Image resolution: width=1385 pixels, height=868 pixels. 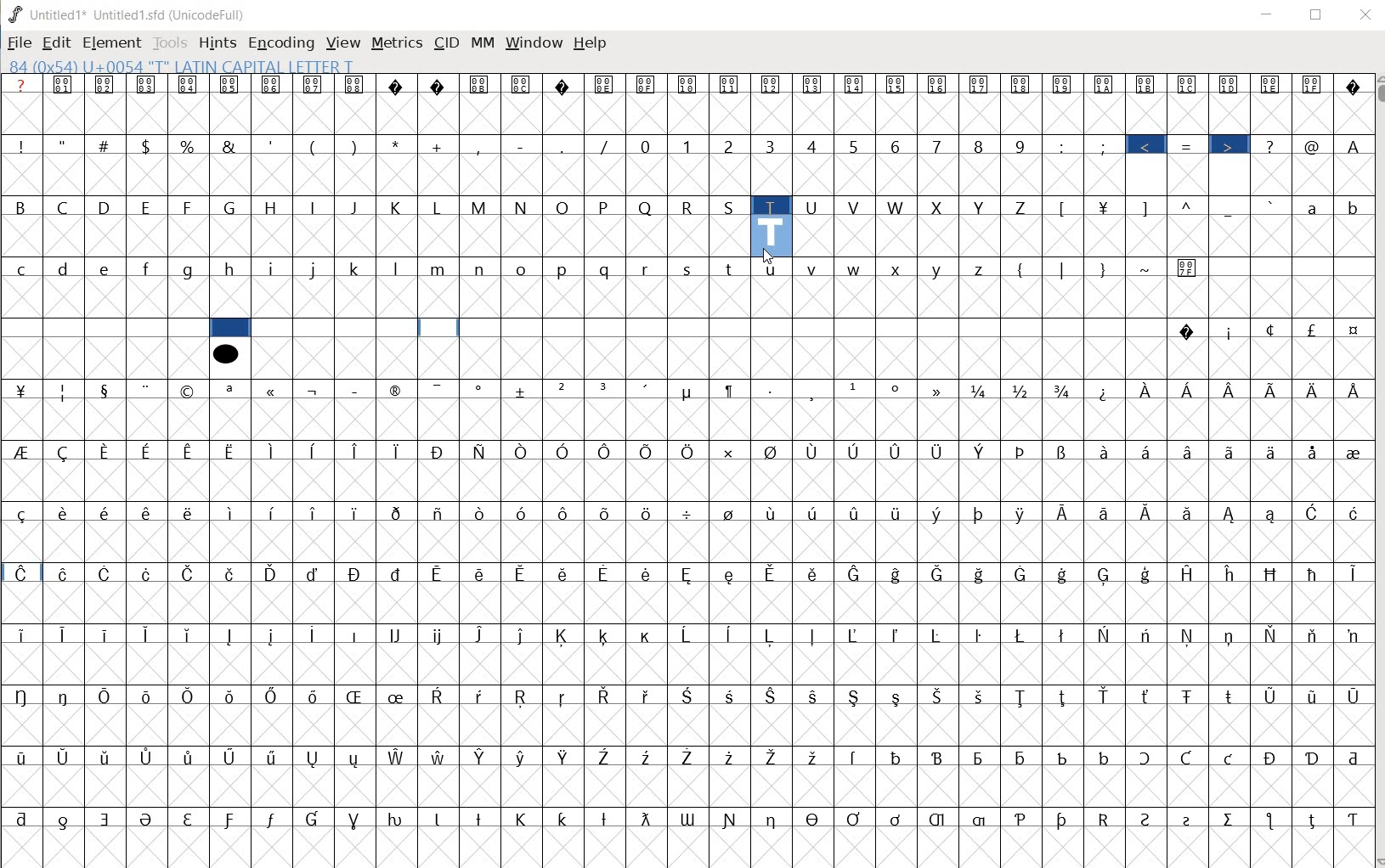 What do you see at coordinates (439, 512) in the screenshot?
I see `Symbol` at bounding box center [439, 512].